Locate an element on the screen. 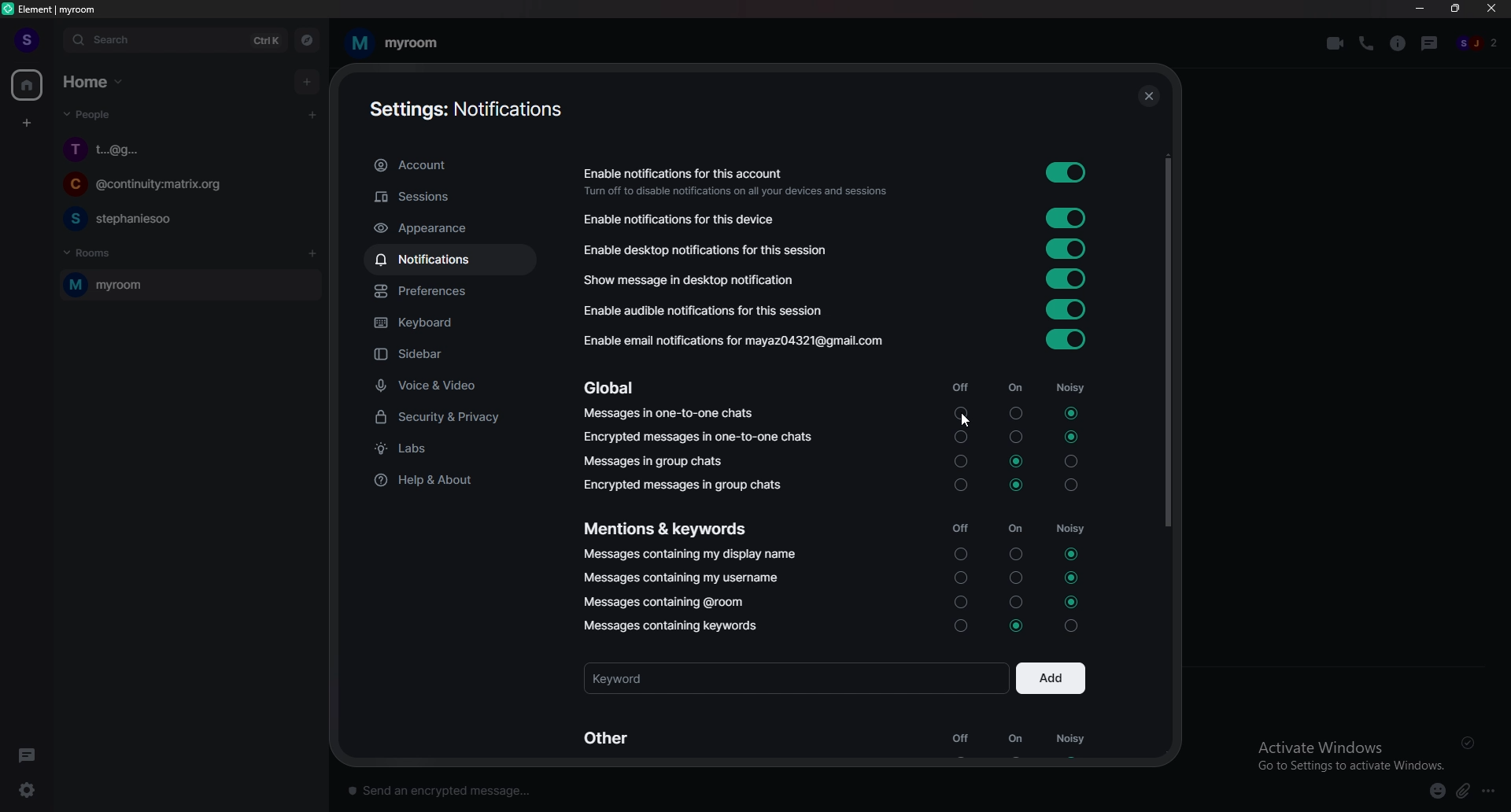  scroll bar is located at coordinates (1166, 337).